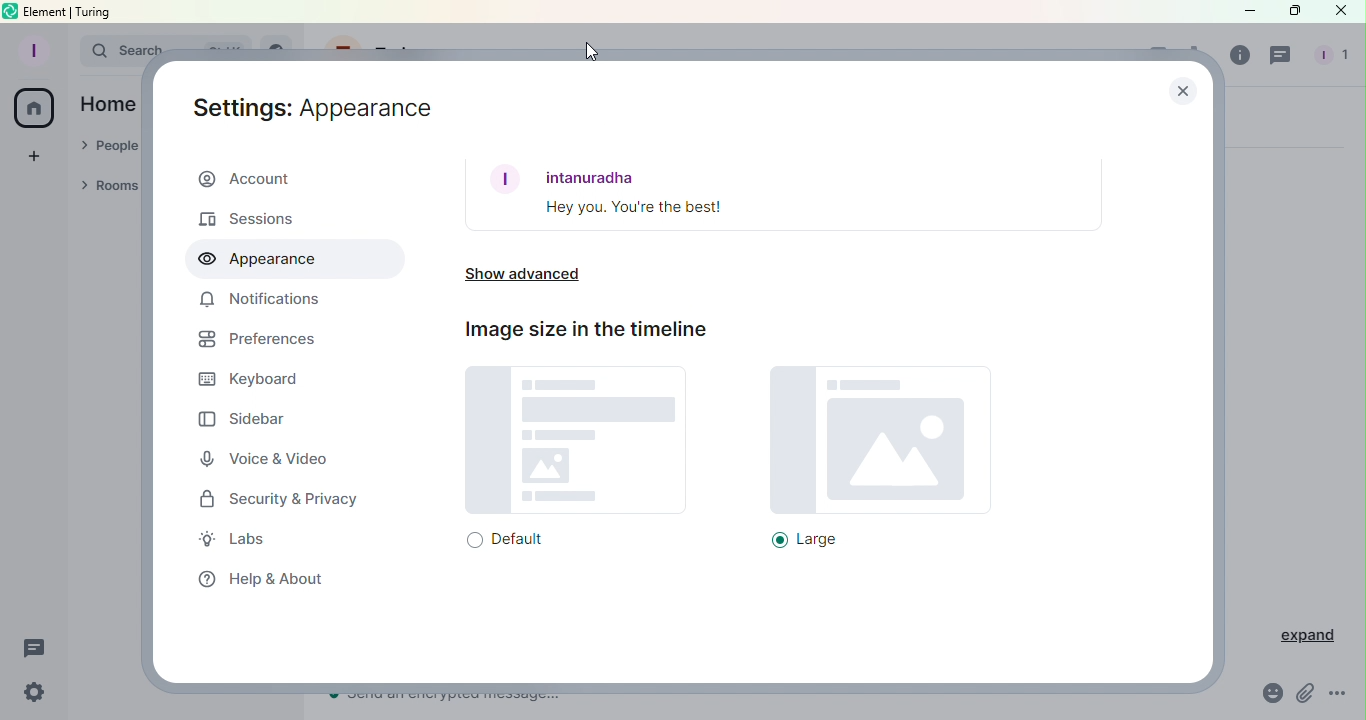 The height and width of the screenshot is (720, 1366). I want to click on Close, so click(1341, 15).